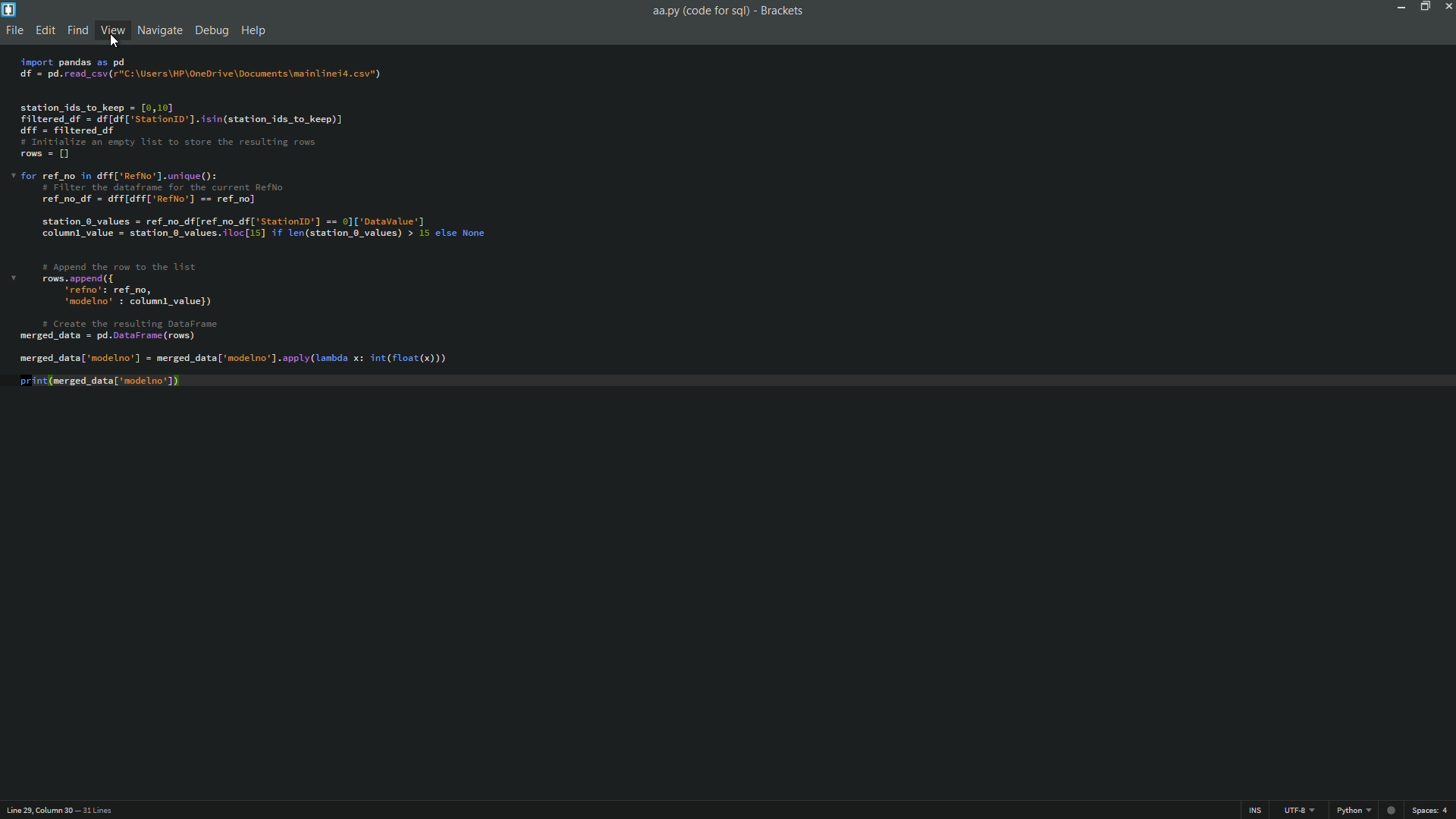 This screenshot has width=1456, height=819. What do you see at coordinates (781, 12) in the screenshot?
I see `app name` at bounding box center [781, 12].